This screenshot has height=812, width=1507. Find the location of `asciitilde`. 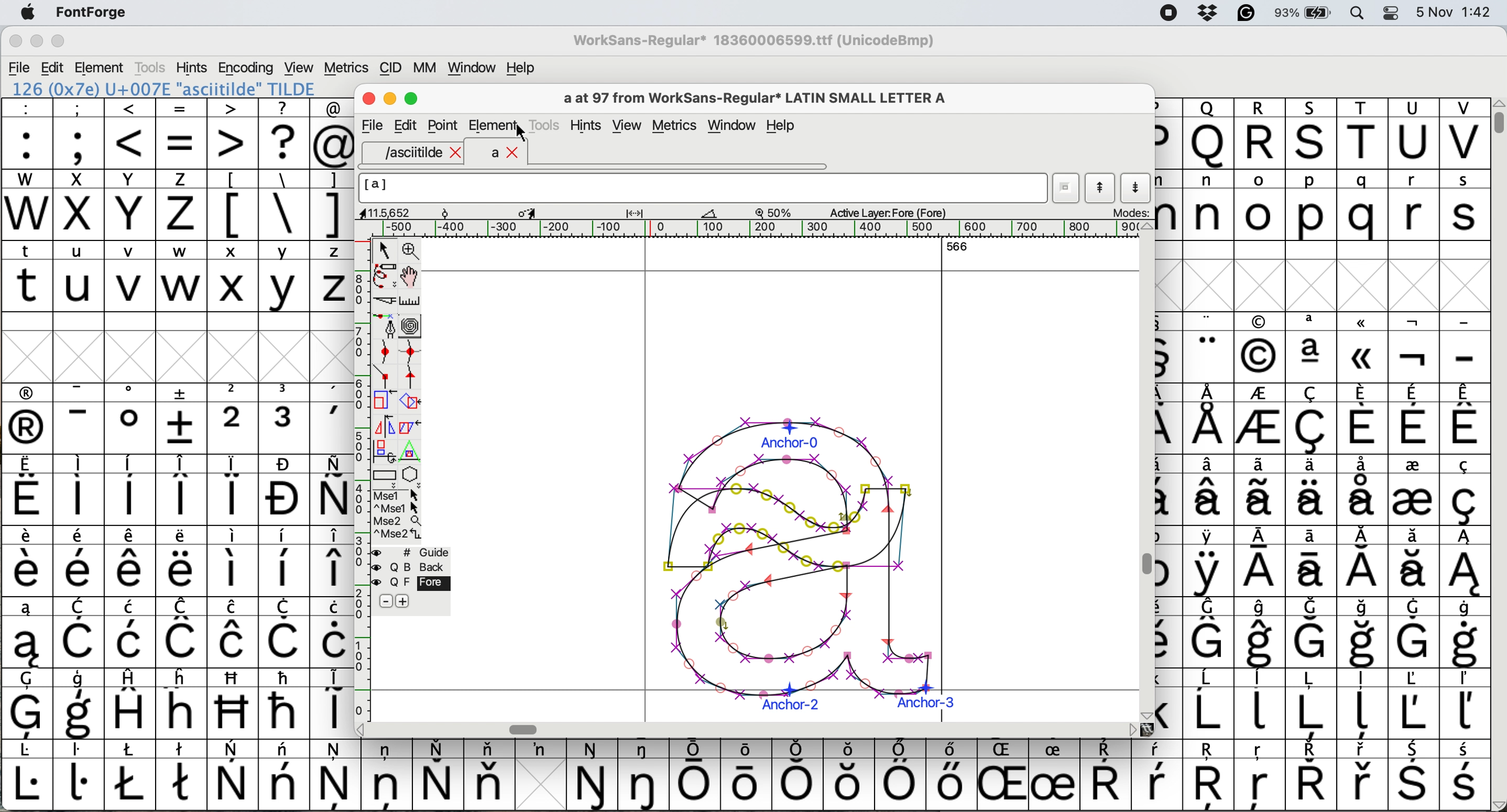

asciitilde is located at coordinates (421, 153).